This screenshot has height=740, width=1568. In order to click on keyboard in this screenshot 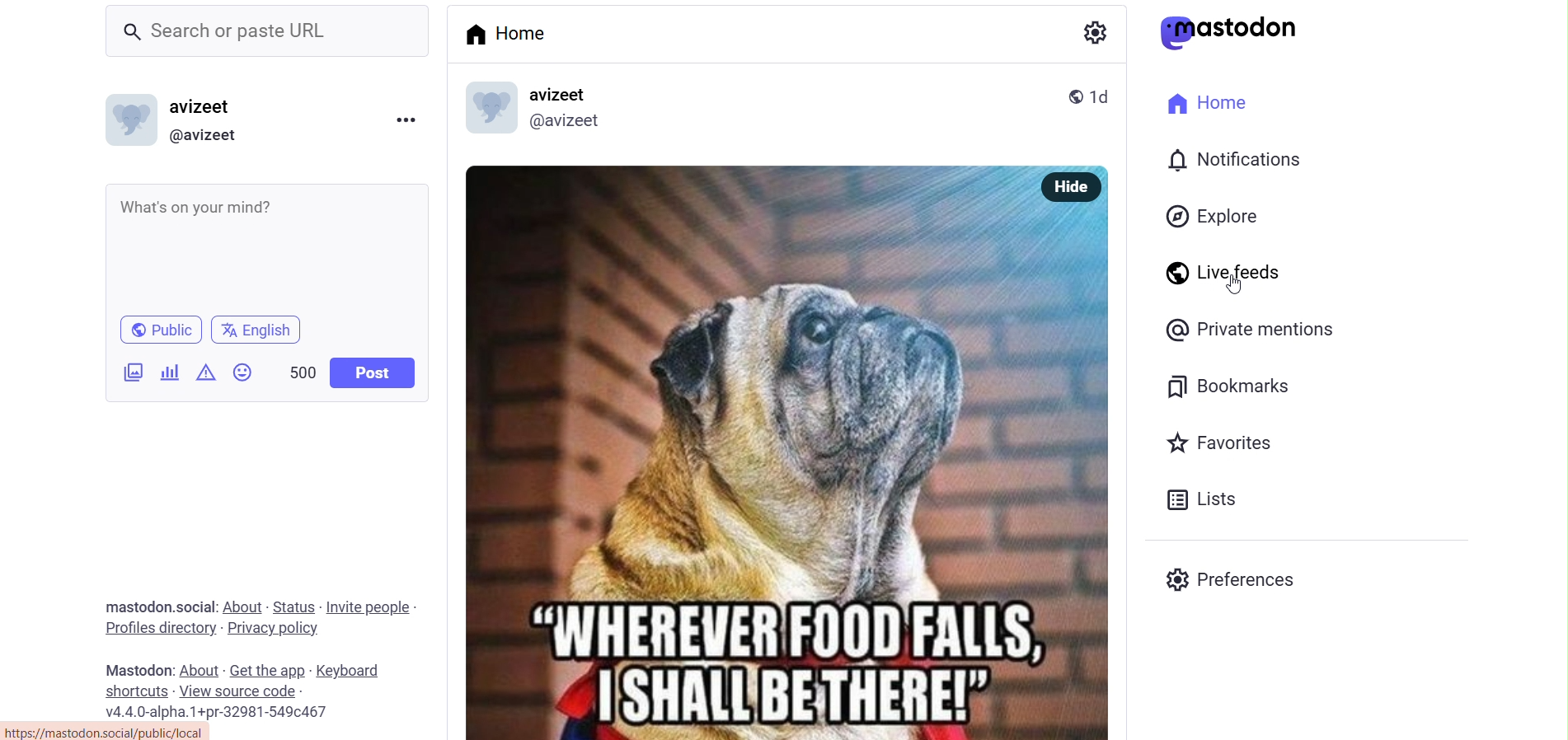, I will do `click(350, 671)`.